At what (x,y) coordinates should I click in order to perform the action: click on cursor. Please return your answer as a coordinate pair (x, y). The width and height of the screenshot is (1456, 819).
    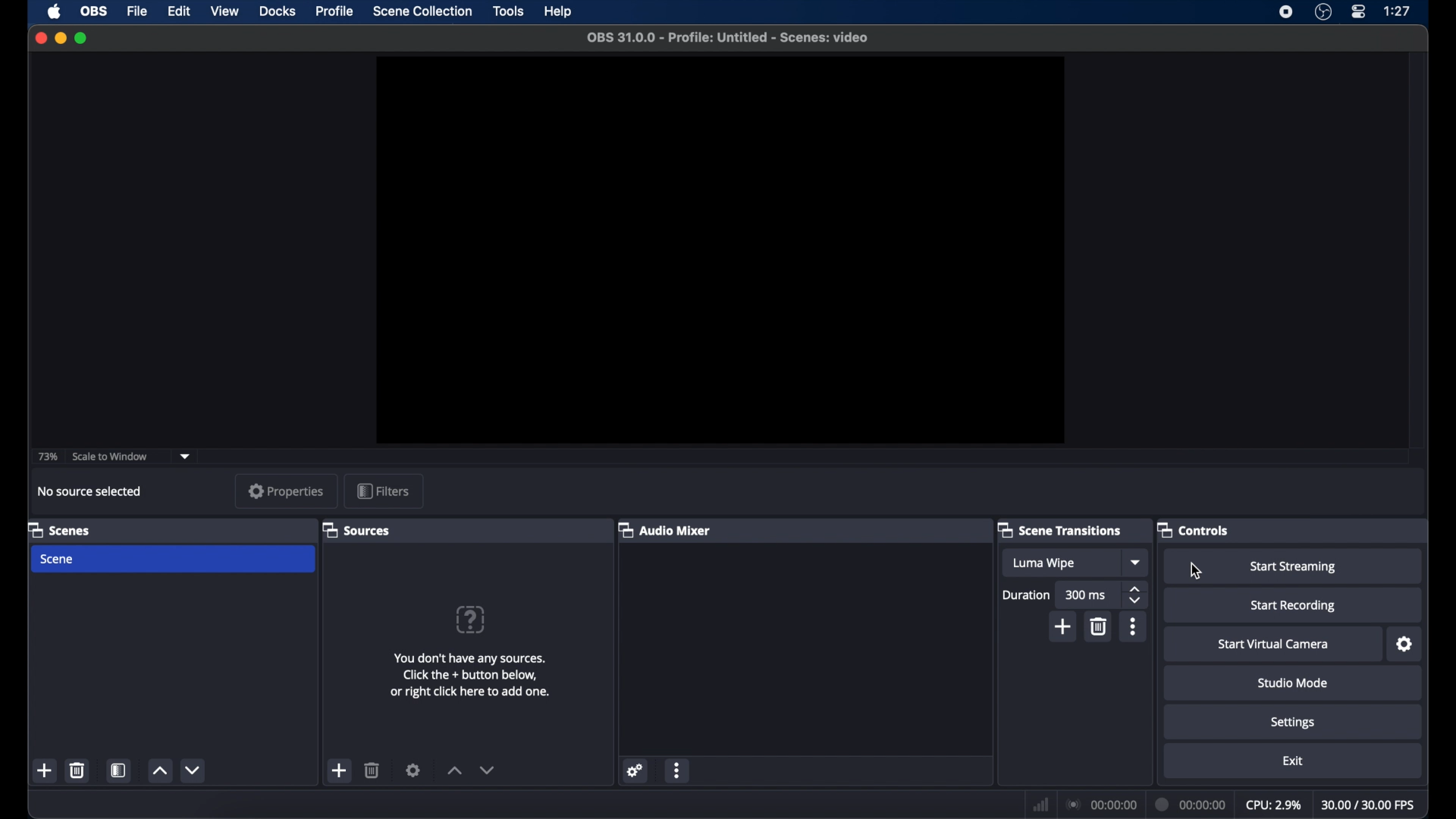
    Looking at the image, I should click on (1197, 573).